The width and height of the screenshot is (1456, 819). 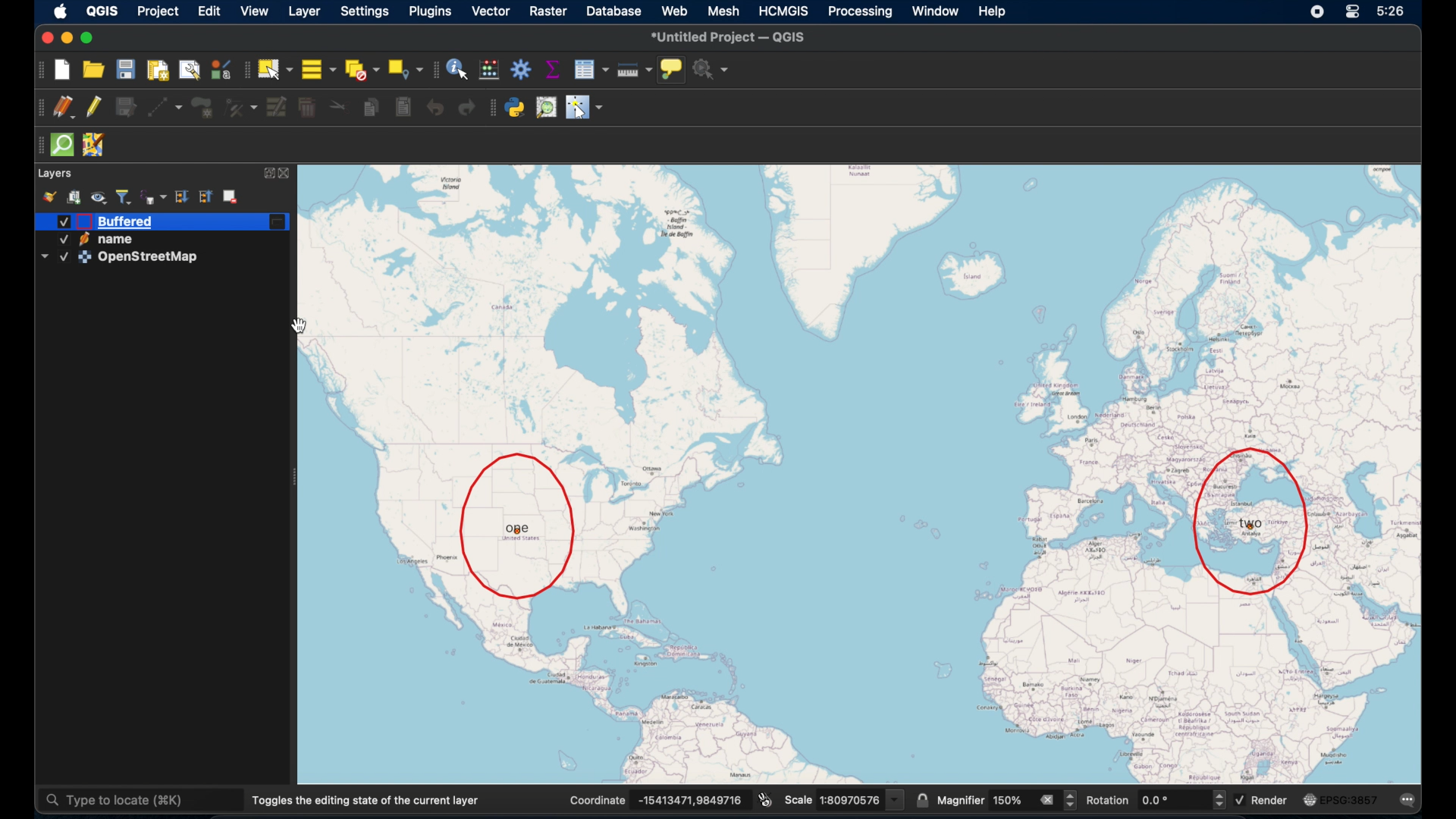 I want to click on apple icon, so click(x=61, y=11).